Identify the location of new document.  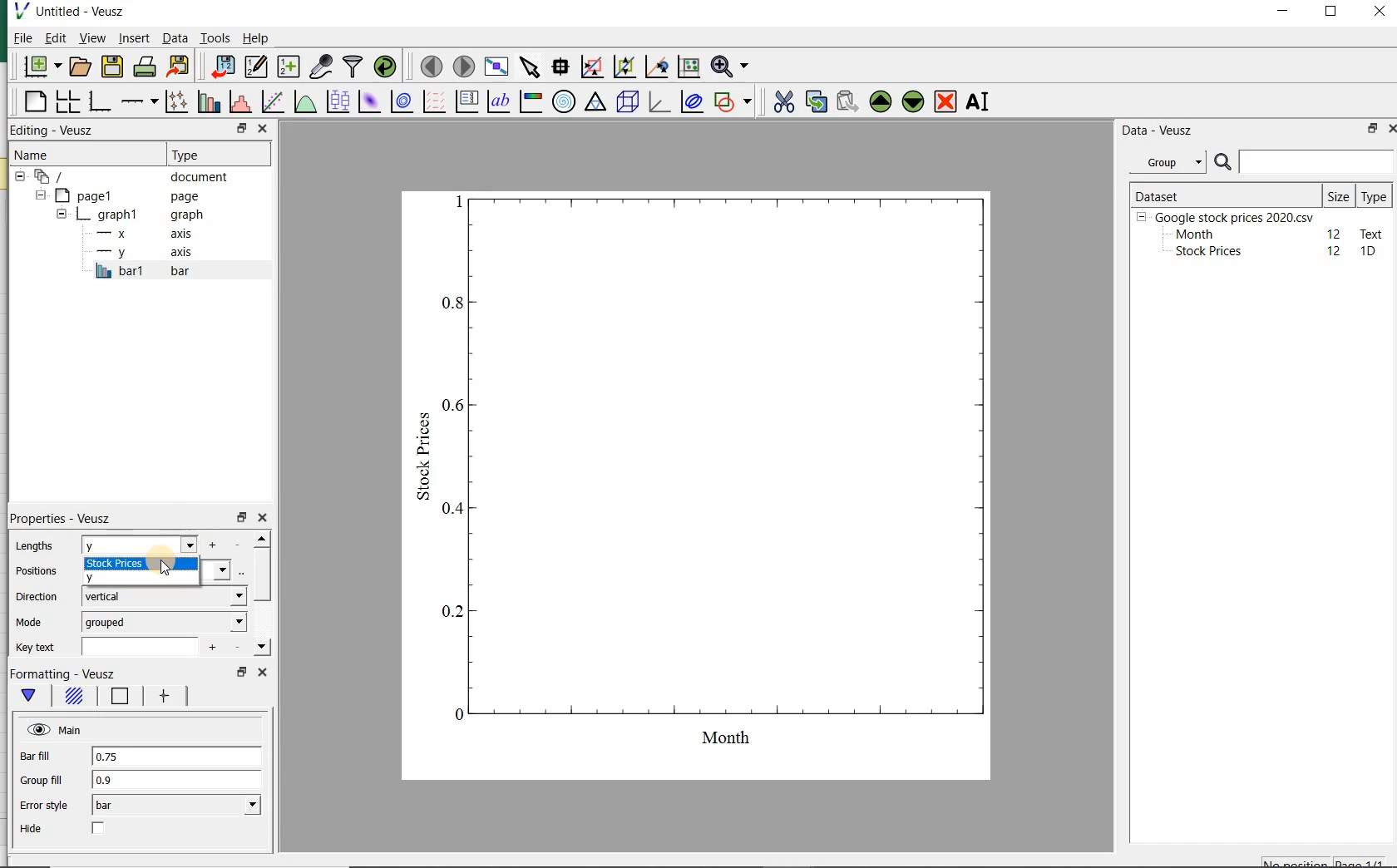
(42, 67).